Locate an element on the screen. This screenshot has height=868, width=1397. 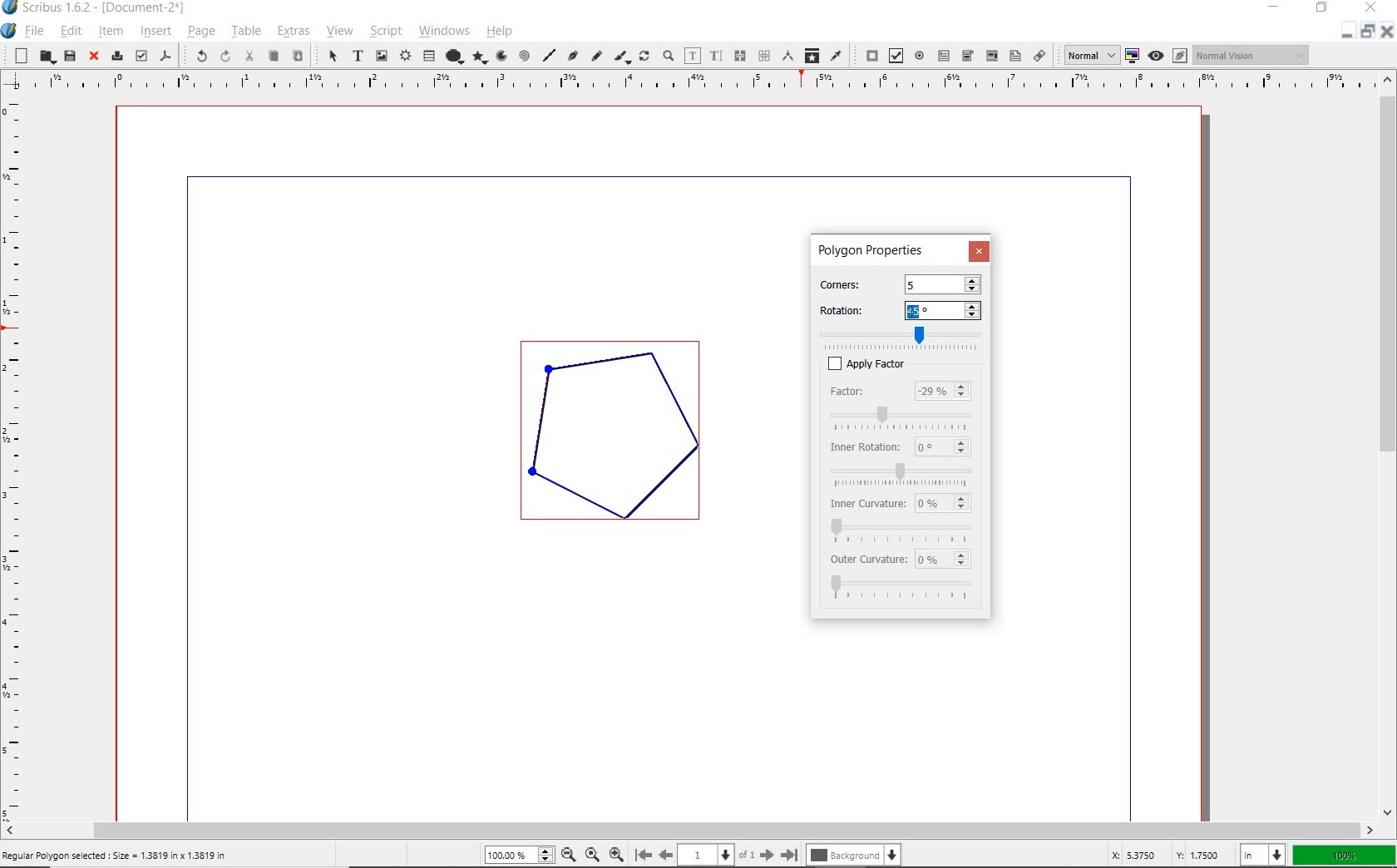
ruler is located at coordinates (698, 84).